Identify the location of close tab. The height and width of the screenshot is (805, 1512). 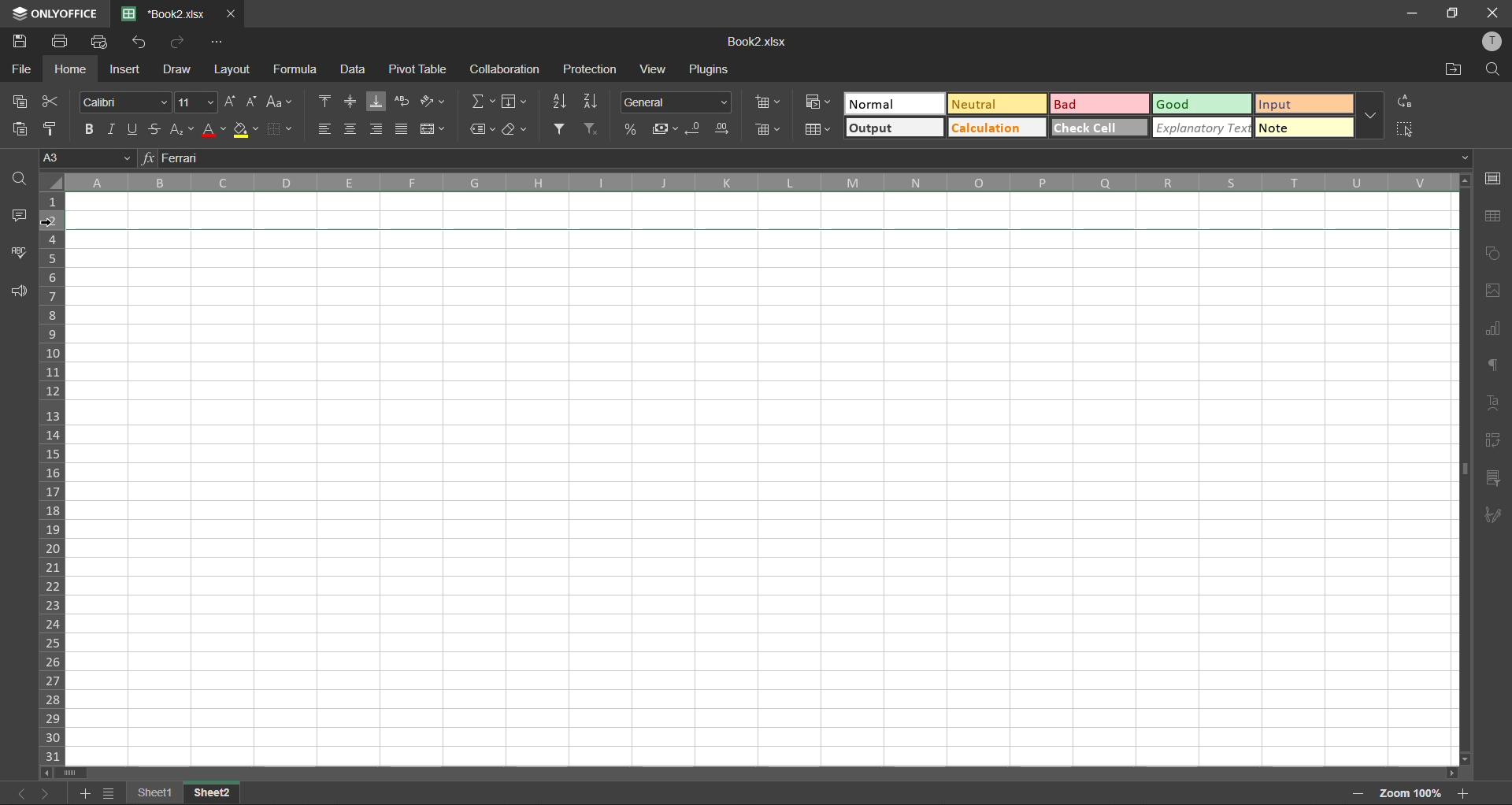
(233, 13).